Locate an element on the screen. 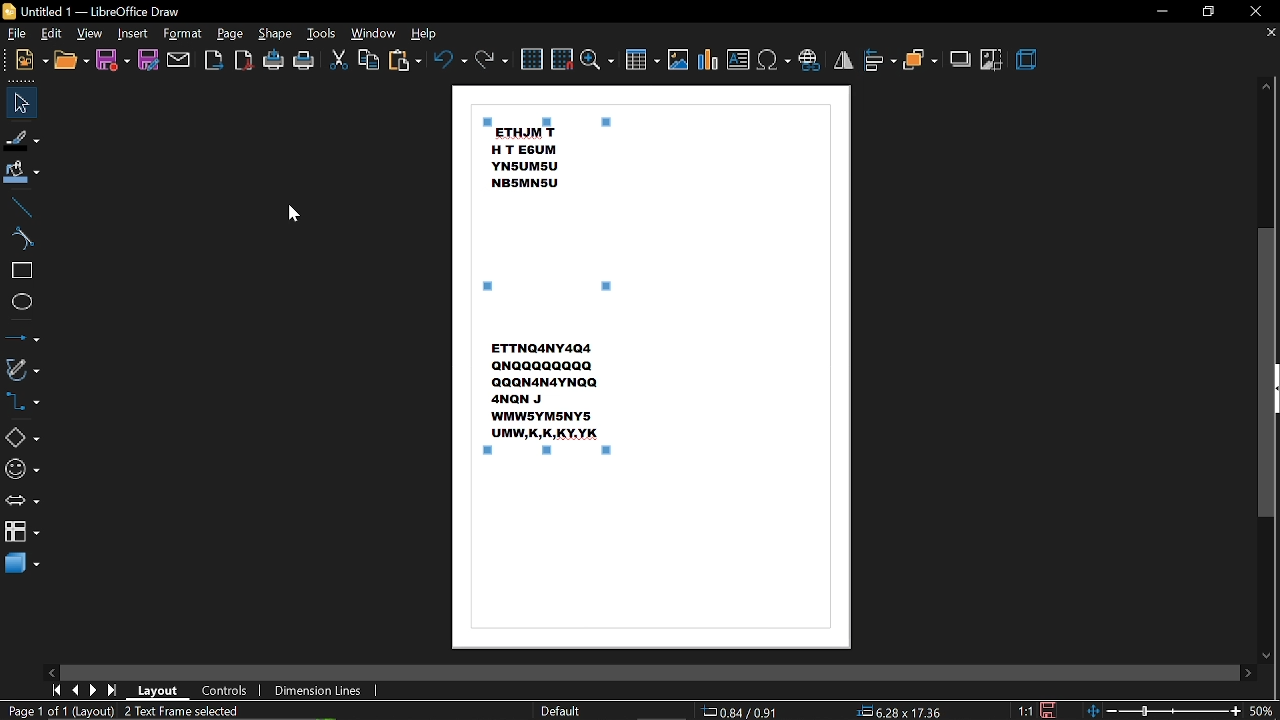  fill color is located at coordinates (24, 173).